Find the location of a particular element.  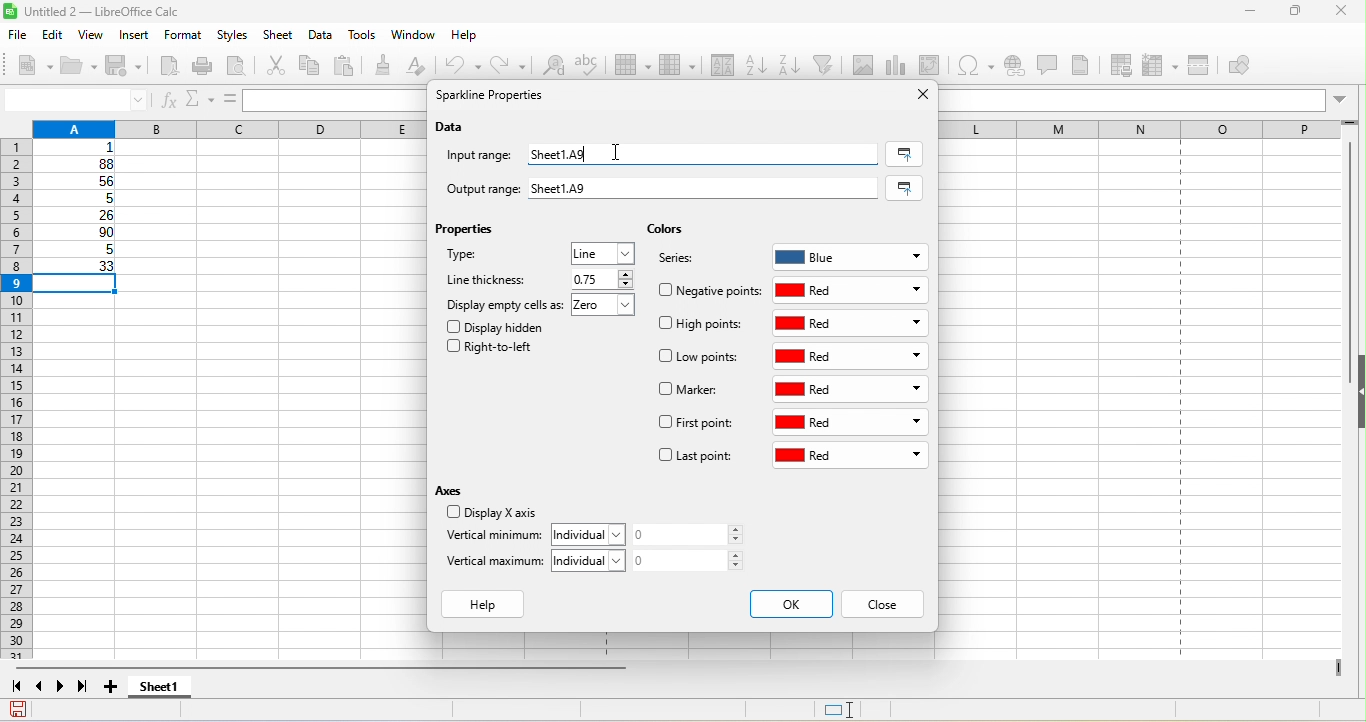

drag to view next columns is located at coordinates (1339, 668).